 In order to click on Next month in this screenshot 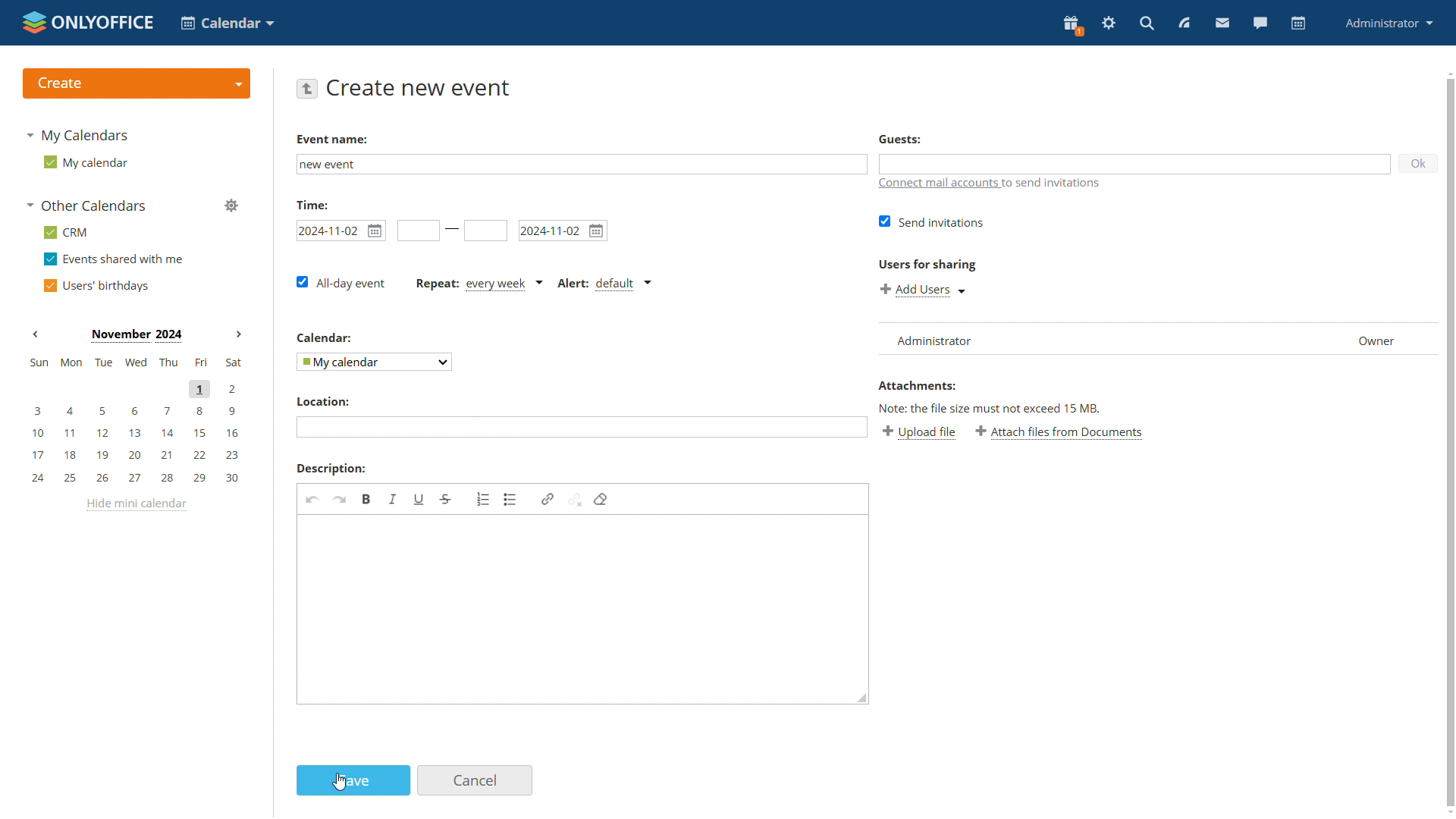, I will do `click(238, 334)`.